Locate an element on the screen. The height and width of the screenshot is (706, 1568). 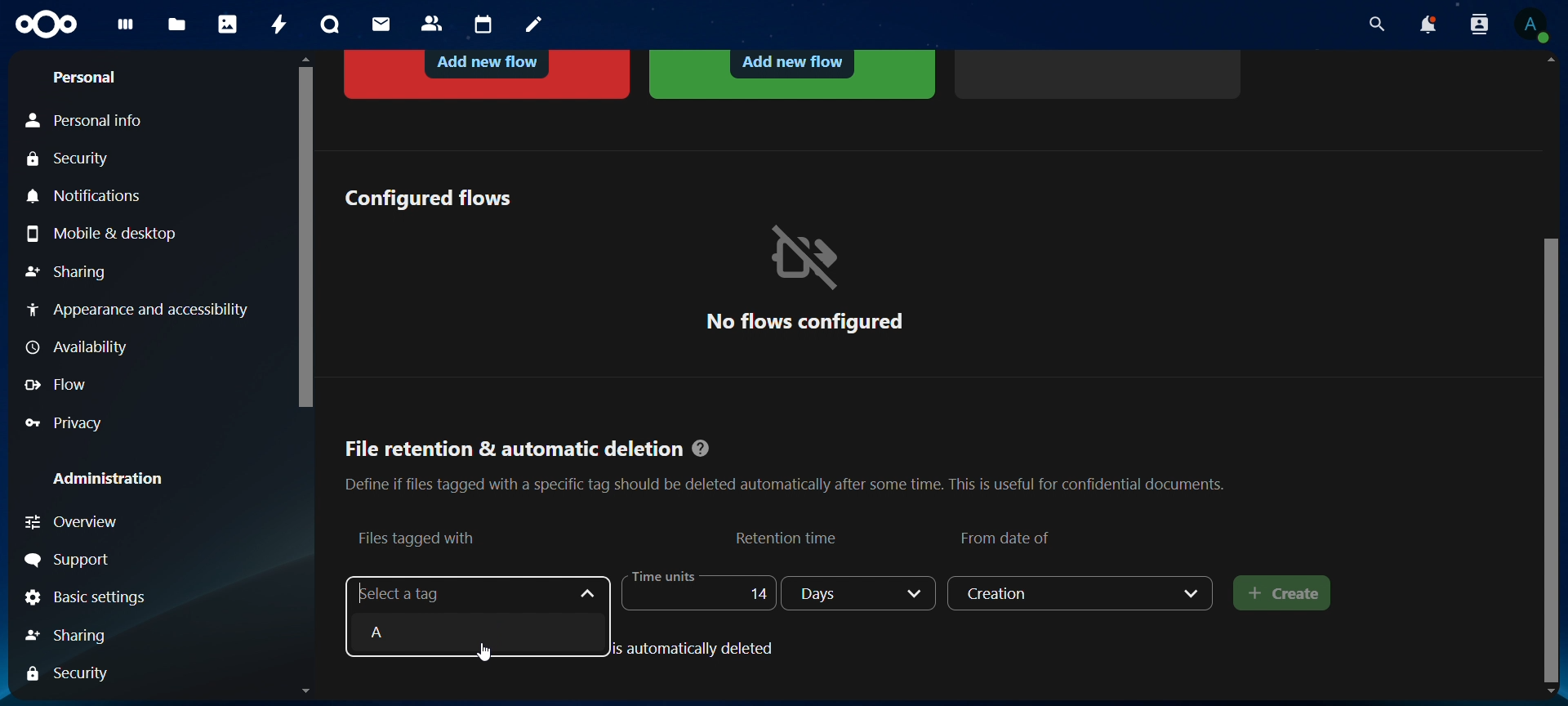
personal info is located at coordinates (95, 121).